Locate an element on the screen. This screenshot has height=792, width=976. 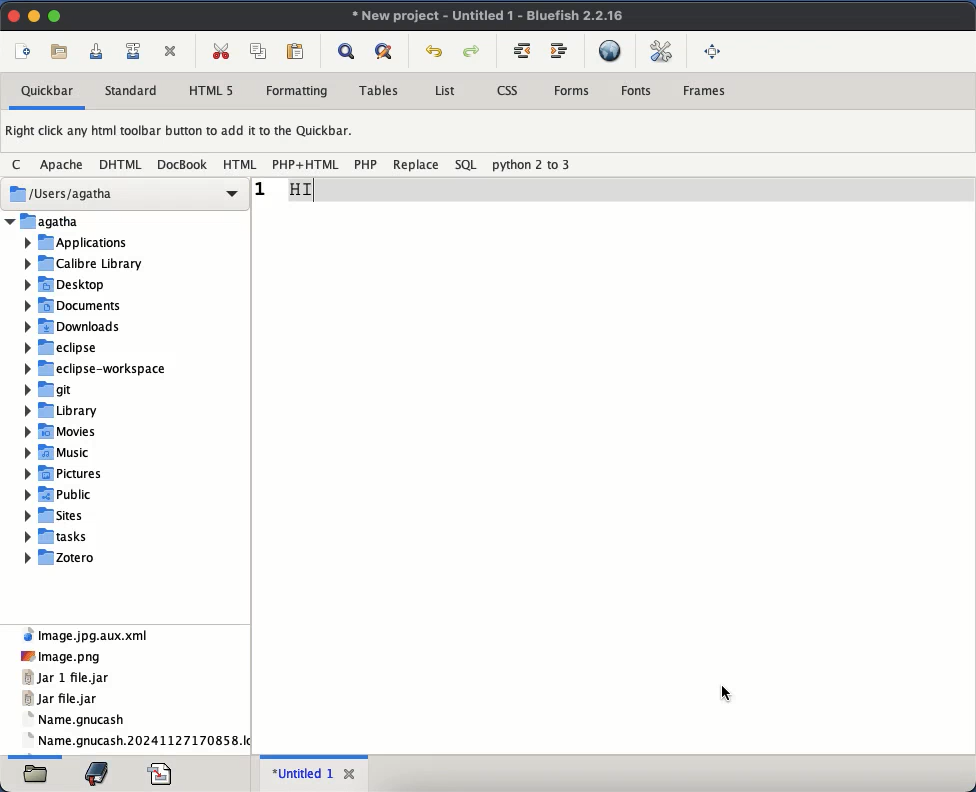
cut is located at coordinates (223, 48).